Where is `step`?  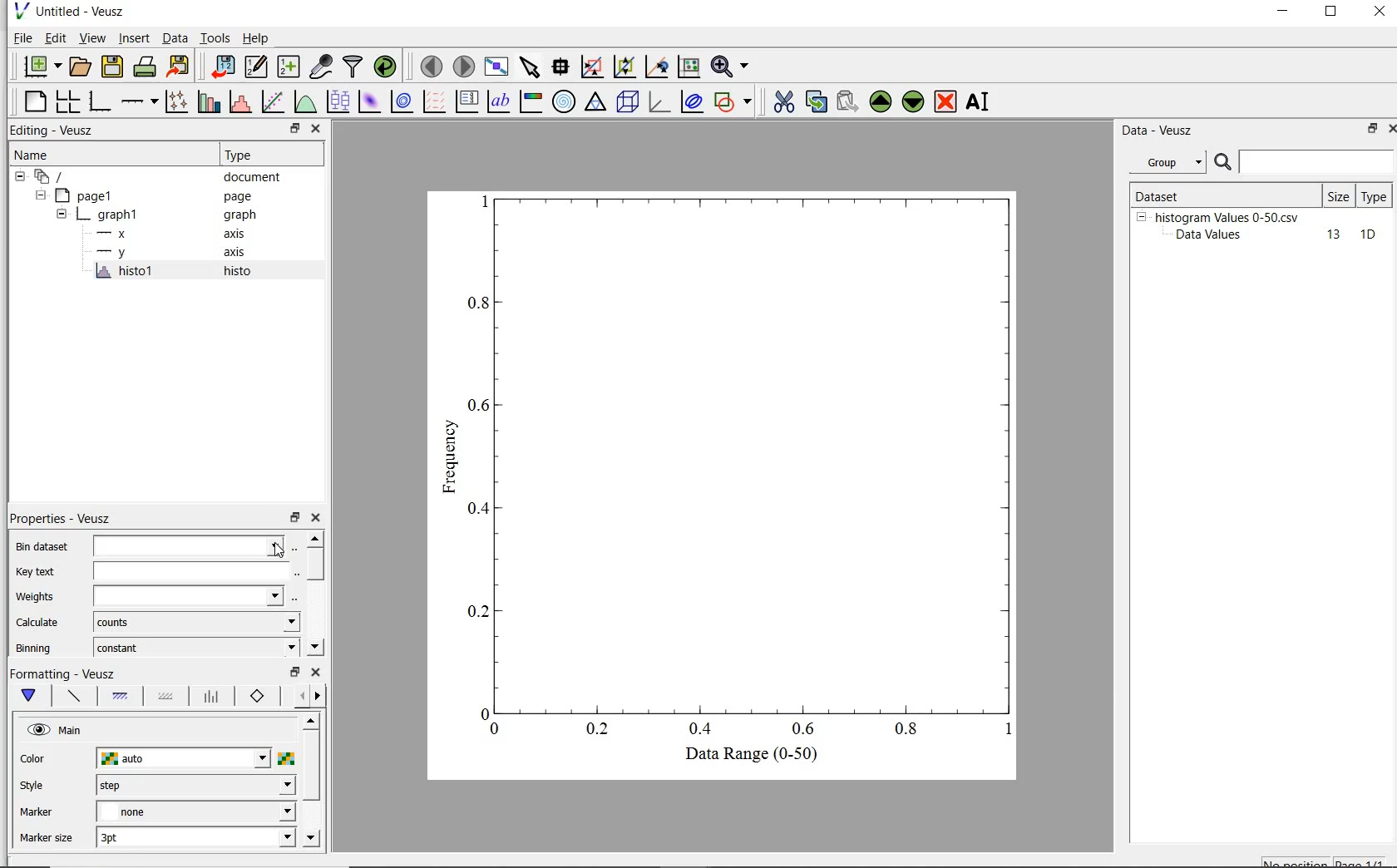 step is located at coordinates (195, 785).